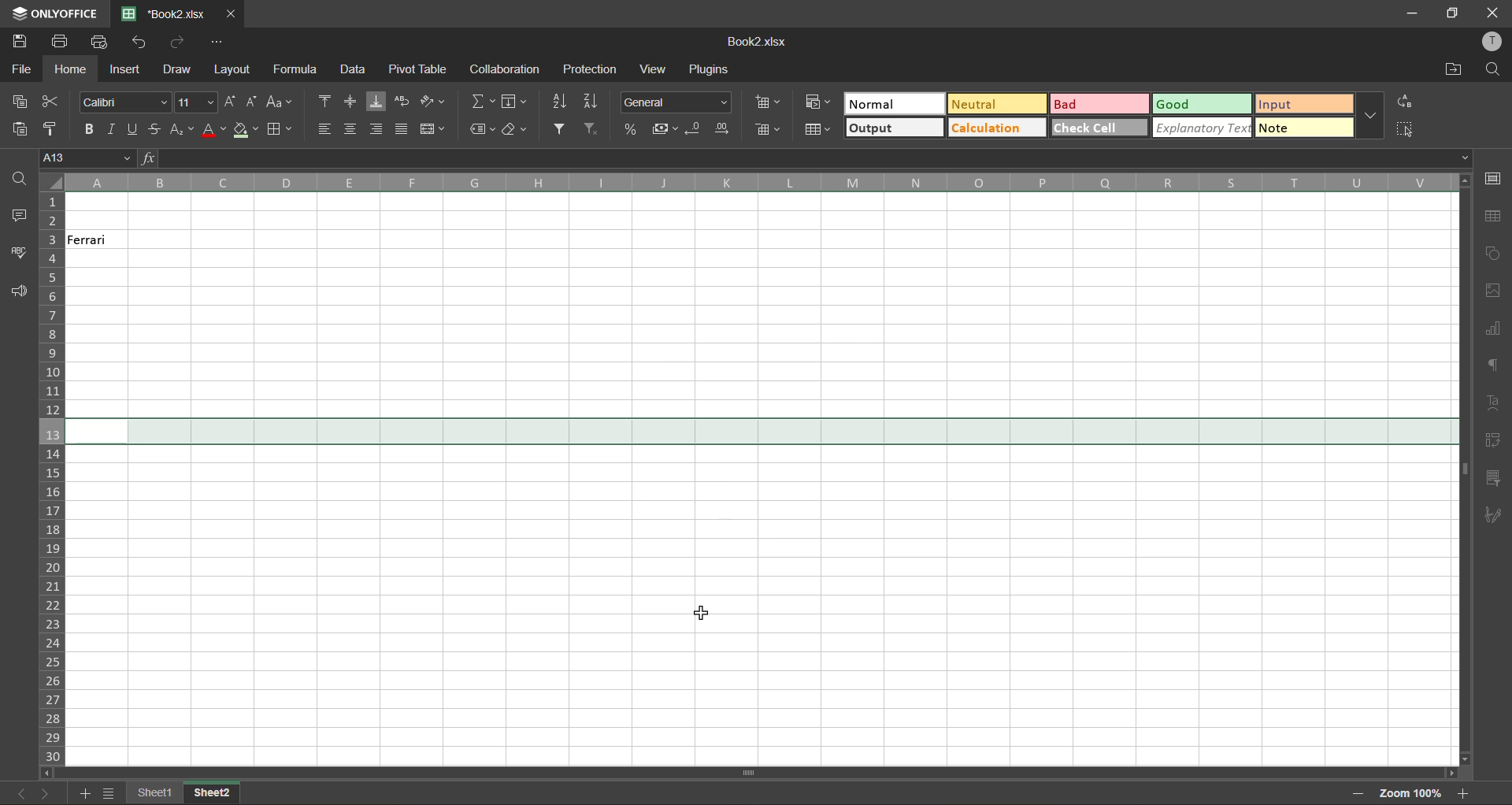 The height and width of the screenshot is (805, 1512). Describe the element at coordinates (695, 614) in the screenshot. I see `Cursor` at that location.